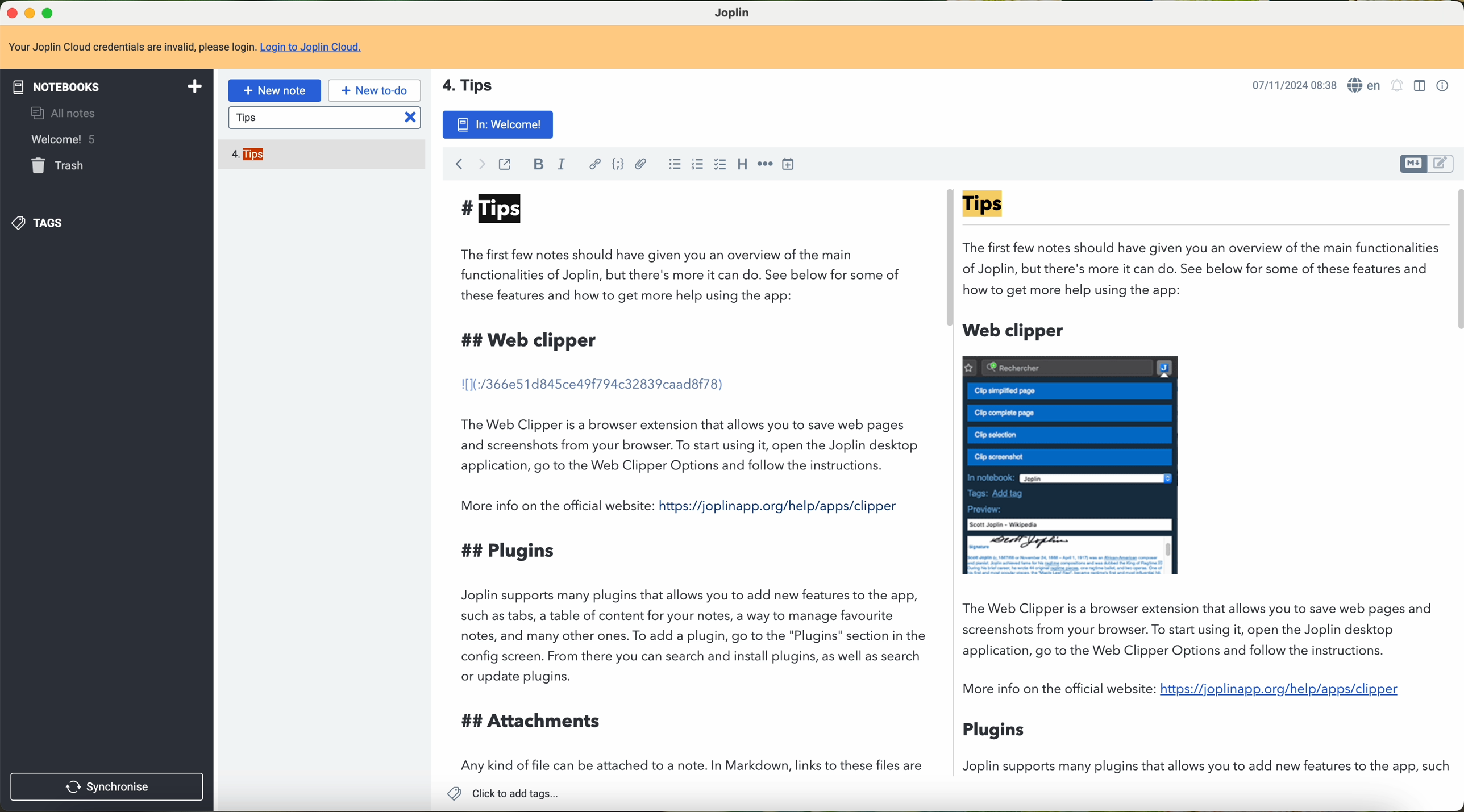  I want to click on close Joplin, so click(9, 14).